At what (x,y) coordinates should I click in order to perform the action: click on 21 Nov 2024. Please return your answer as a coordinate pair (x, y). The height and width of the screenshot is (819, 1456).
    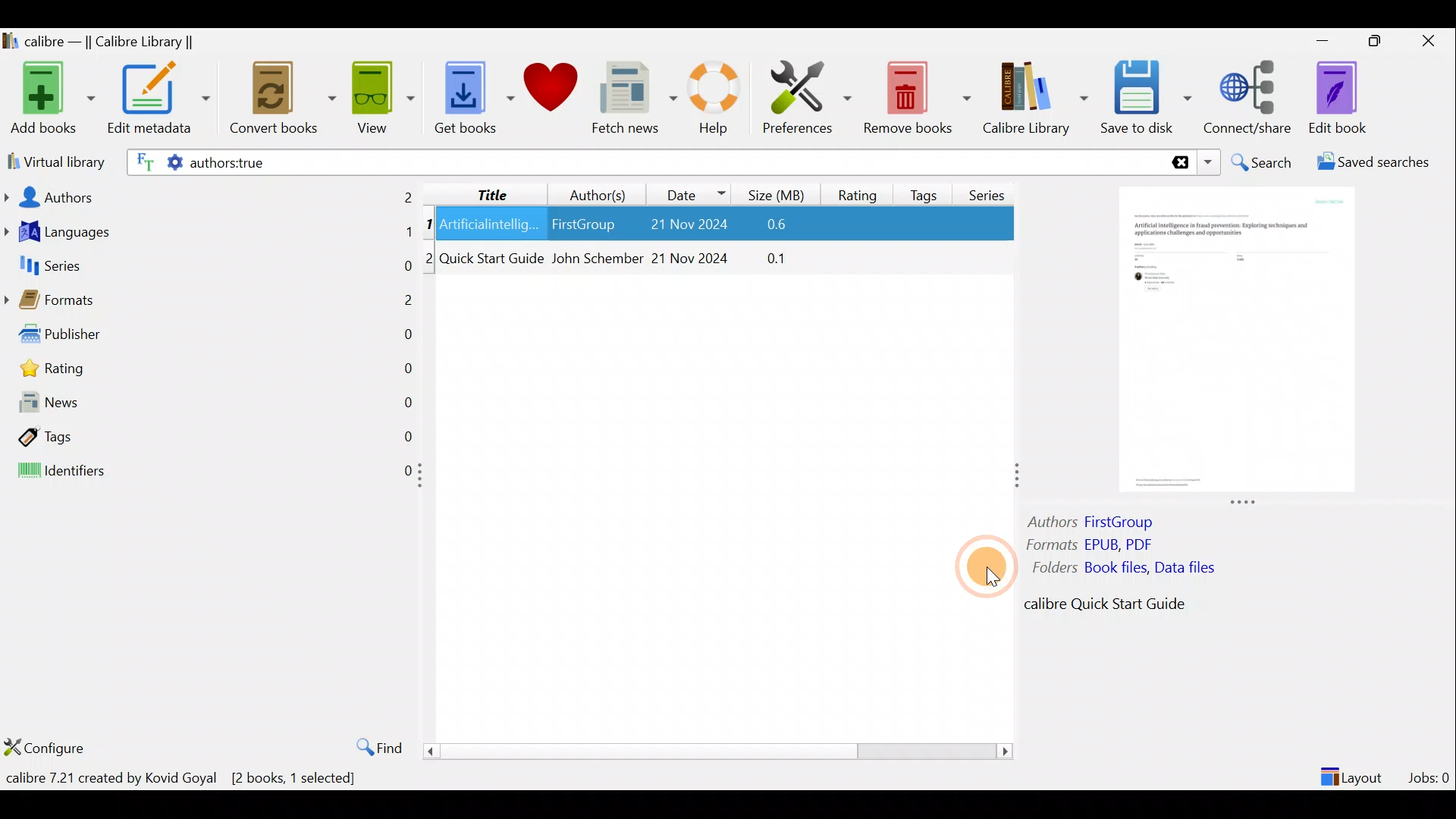
    Looking at the image, I should click on (692, 260).